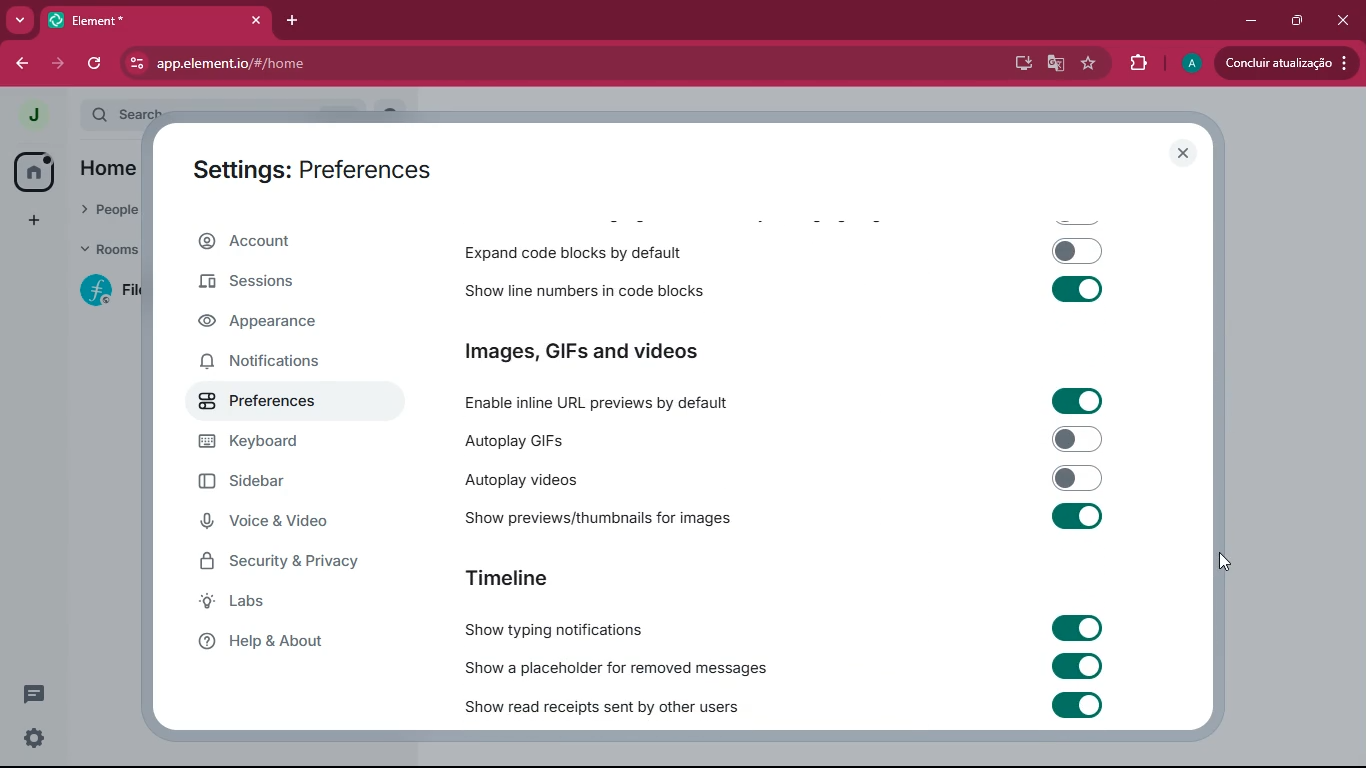 Image resolution: width=1366 pixels, height=768 pixels. Describe the element at coordinates (268, 482) in the screenshot. I see `sidebar` at that location.